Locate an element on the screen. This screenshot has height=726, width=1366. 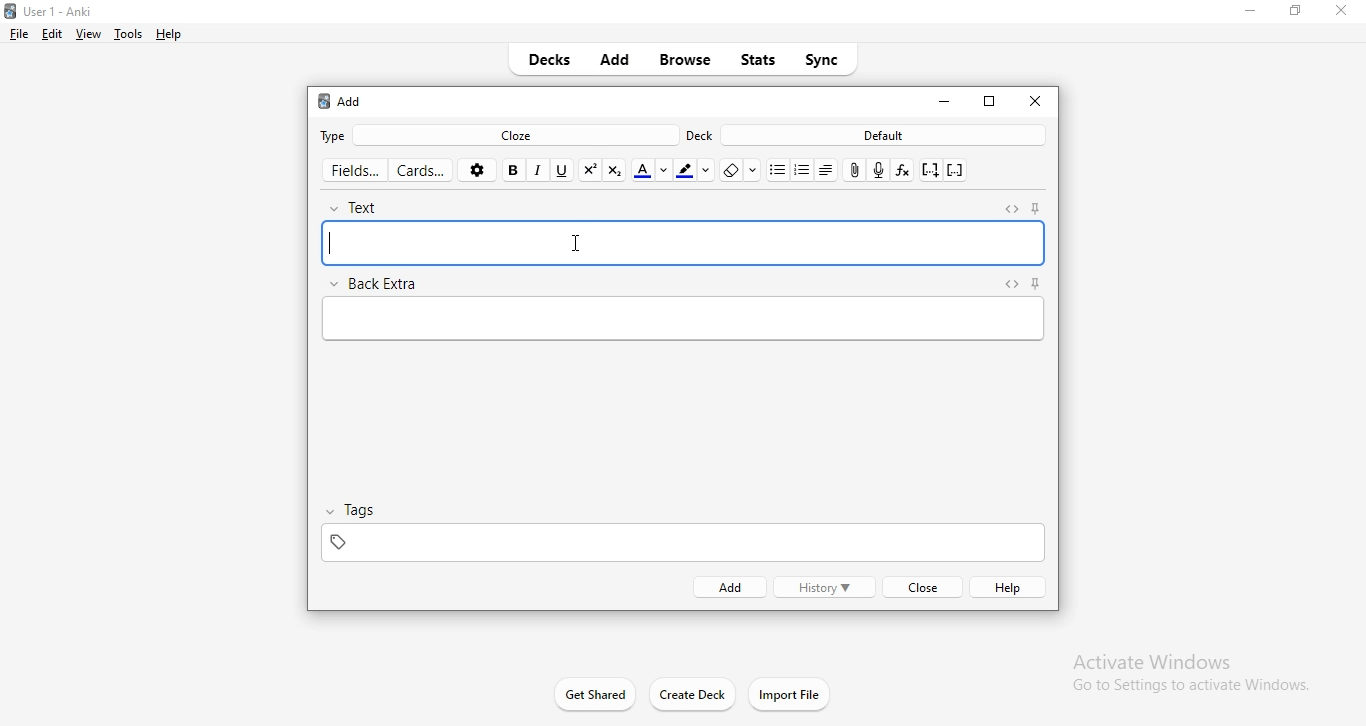
tags is located at coordinates (359, 509).